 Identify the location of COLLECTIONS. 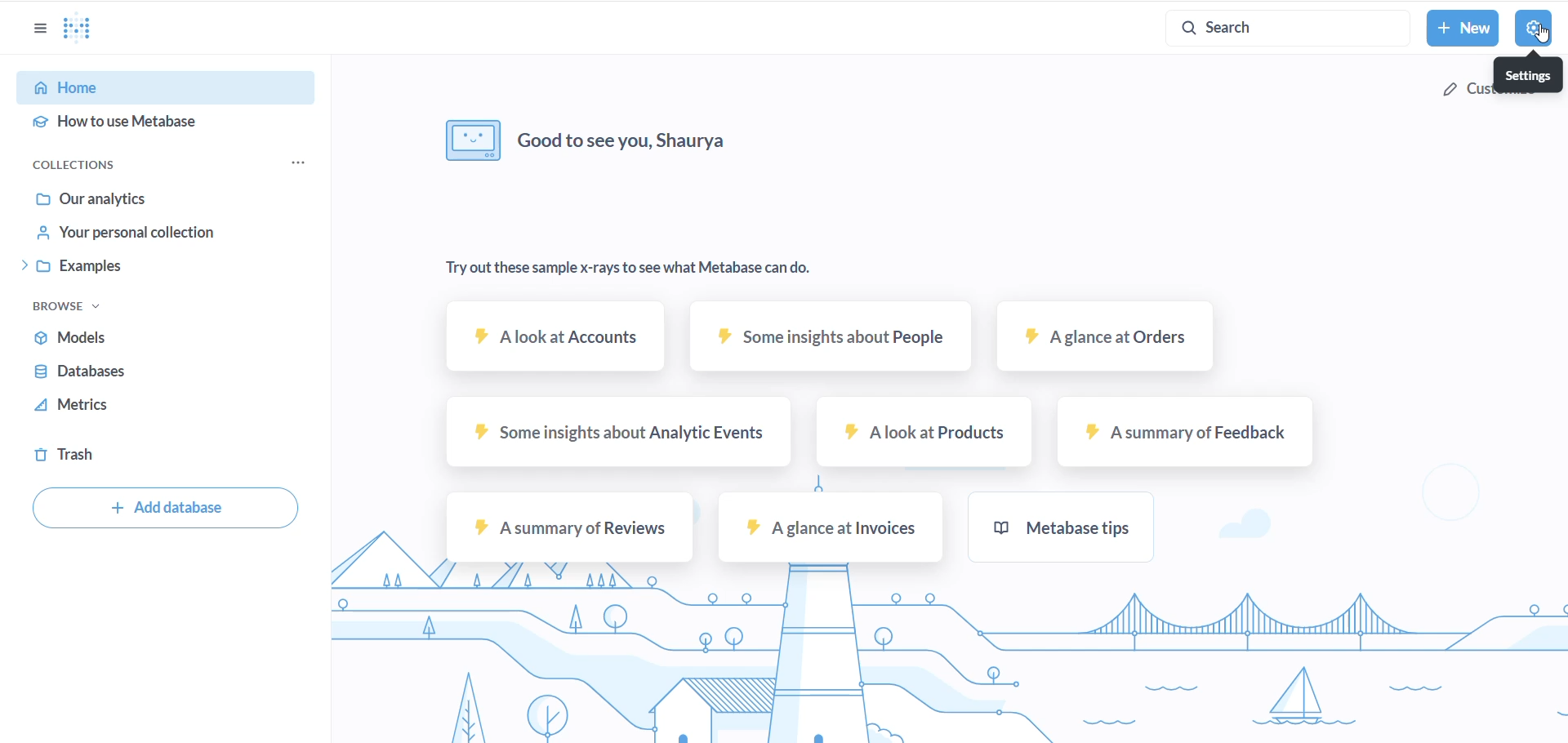
(91, 163).